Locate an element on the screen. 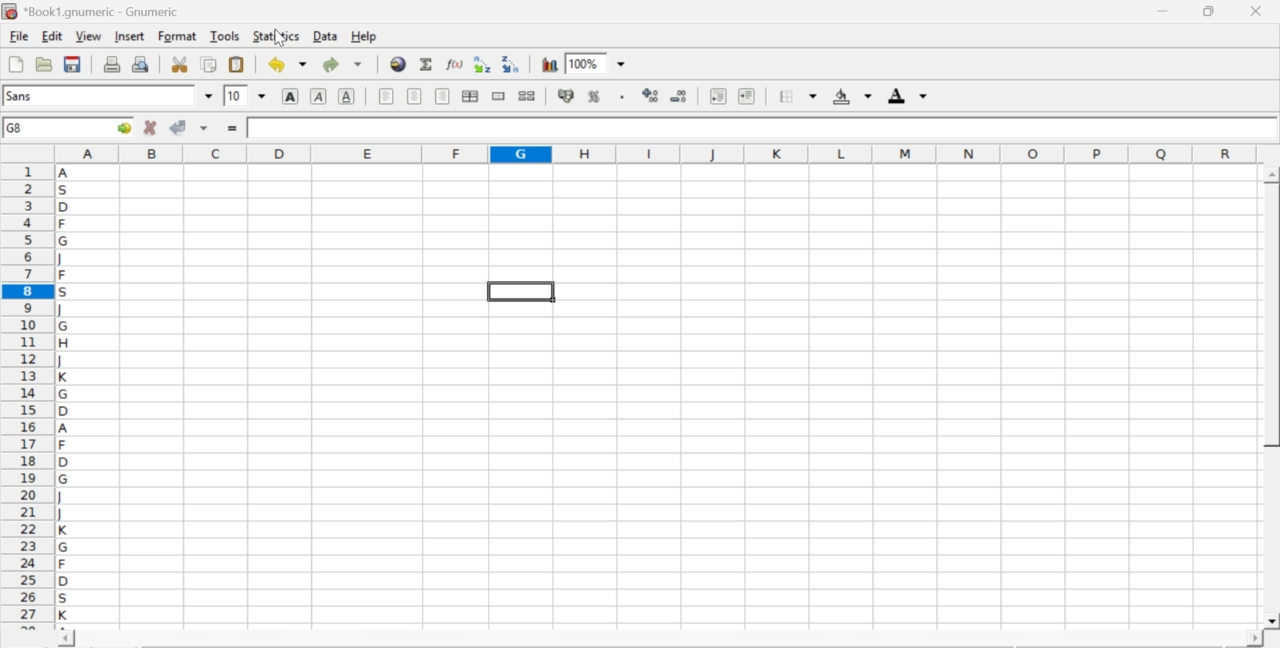  print is located at coordinates (112, 63).